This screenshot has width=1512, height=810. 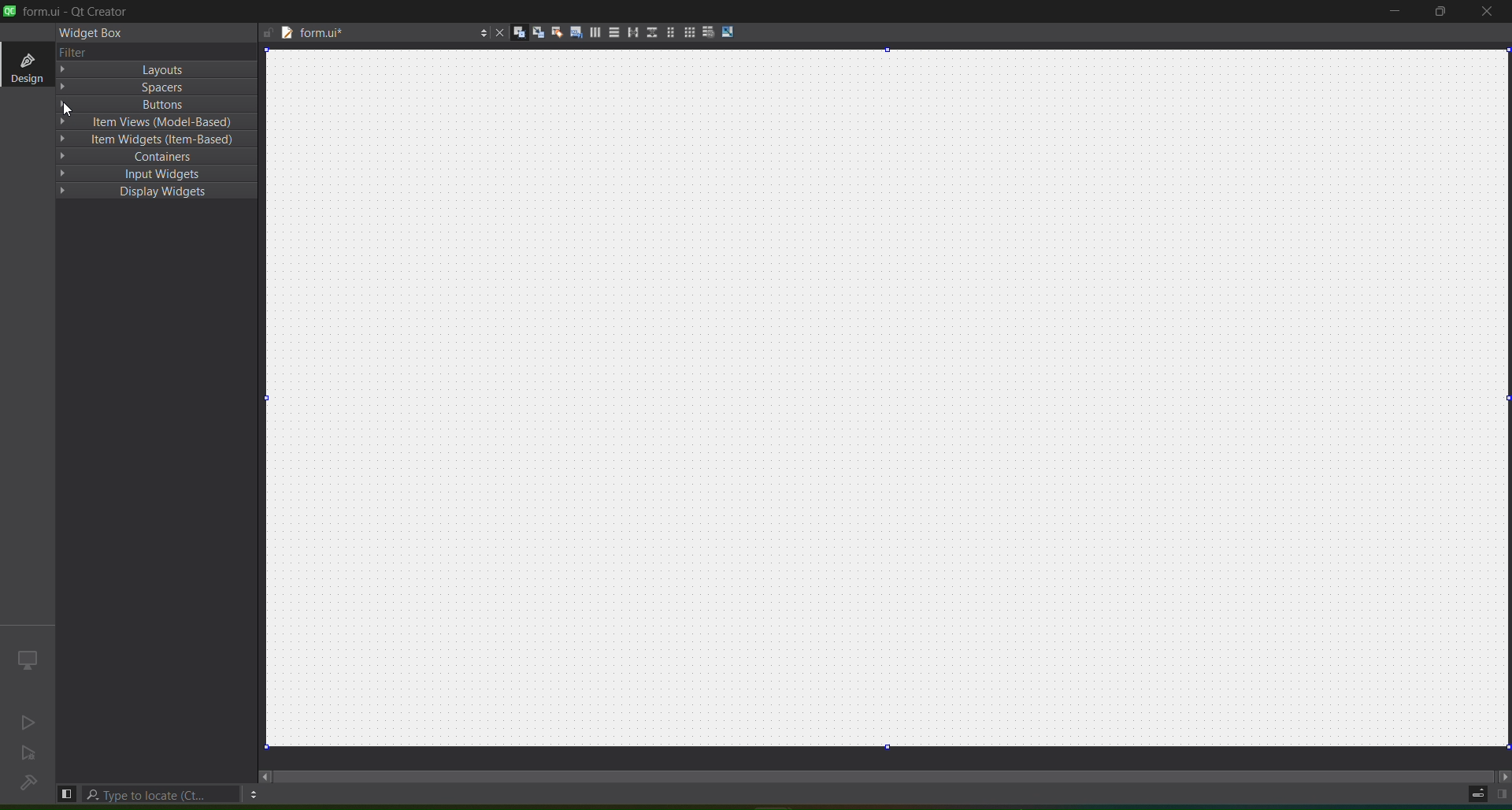 What do you see at coordinates (162, 794) in the screenshot?
I see `type to locate` at bounding box center [162, 794].